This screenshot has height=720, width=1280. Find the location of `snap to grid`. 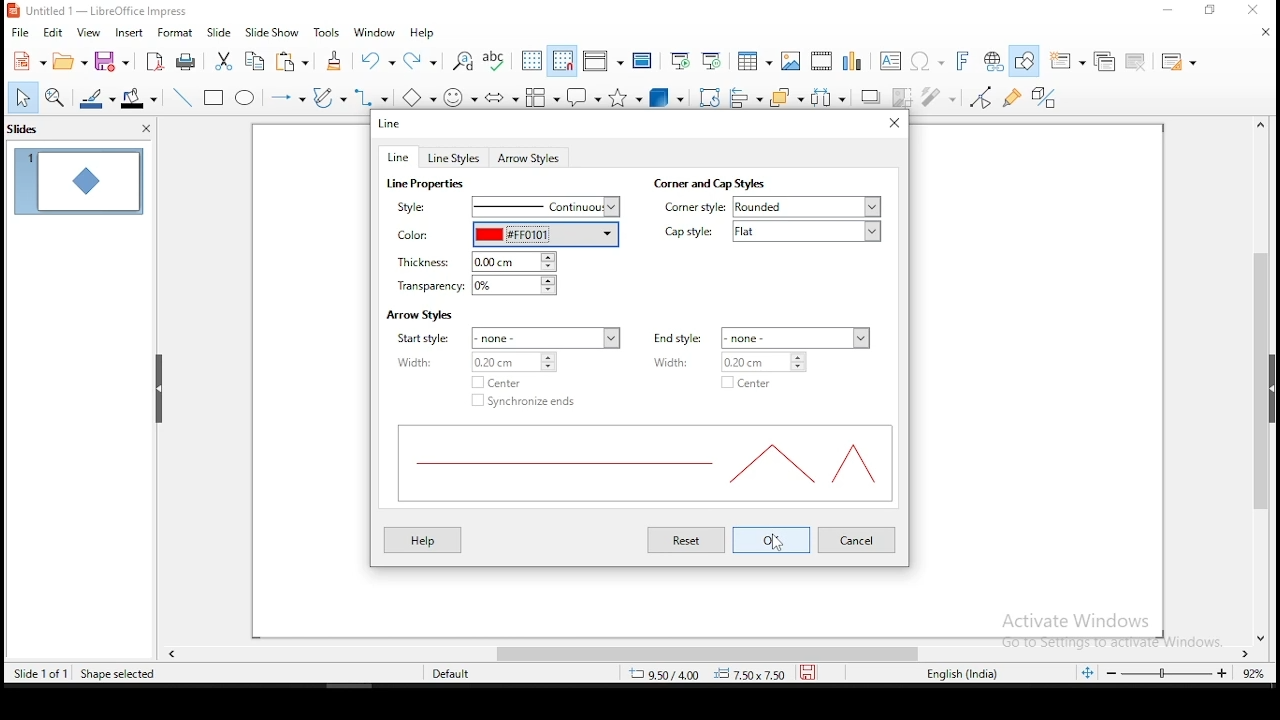

snap to grid is located at coordinates (563, 60).